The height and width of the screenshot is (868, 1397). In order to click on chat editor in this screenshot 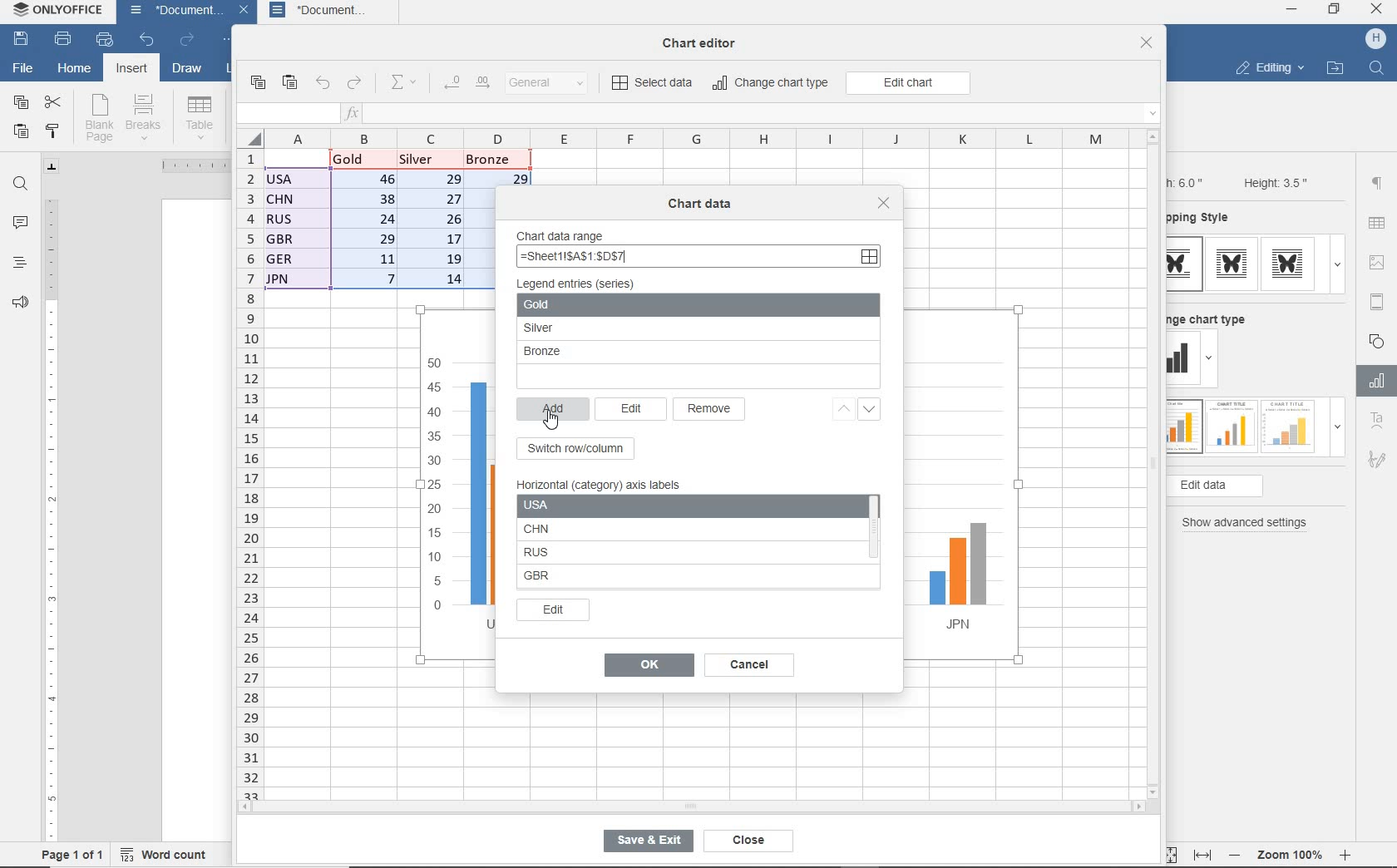, I will do `click(706, 44)`.